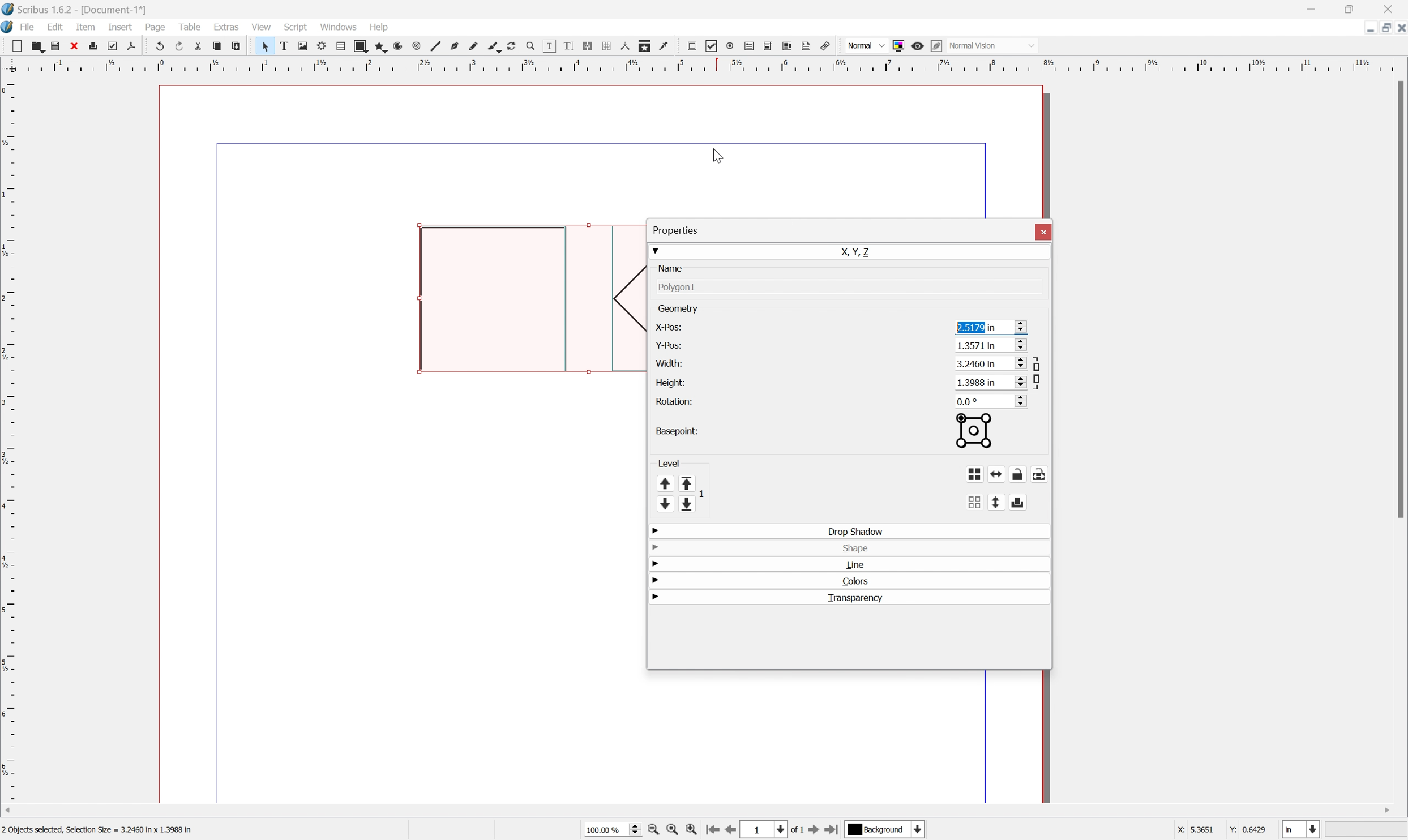 The height and width of the screenshot is (840, 1408). What do you see at coordinates (833, 828) in the screenshot?
I see `Go to last page` at bounding box center [833, 828].